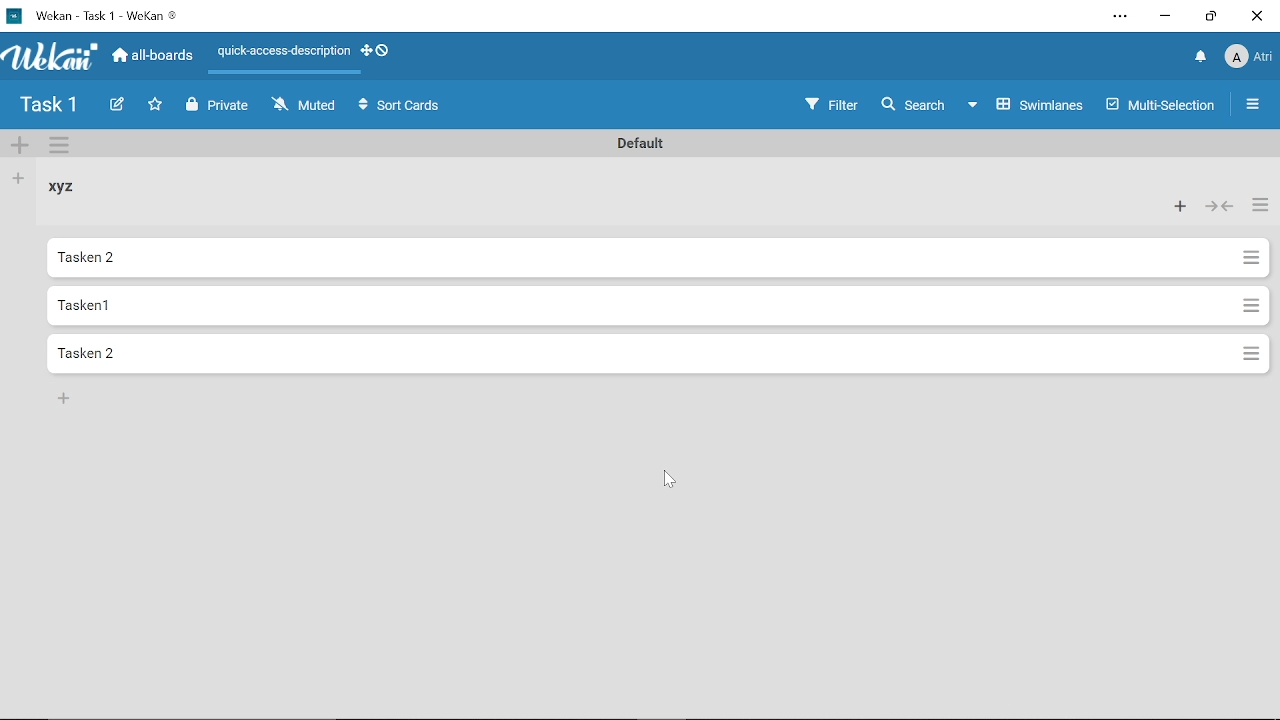 The image size is (1280, 720). What do you see at coordinates (1208, 17) in the screenshot?
I see `Restore down` at bounding box center [1208, 17].